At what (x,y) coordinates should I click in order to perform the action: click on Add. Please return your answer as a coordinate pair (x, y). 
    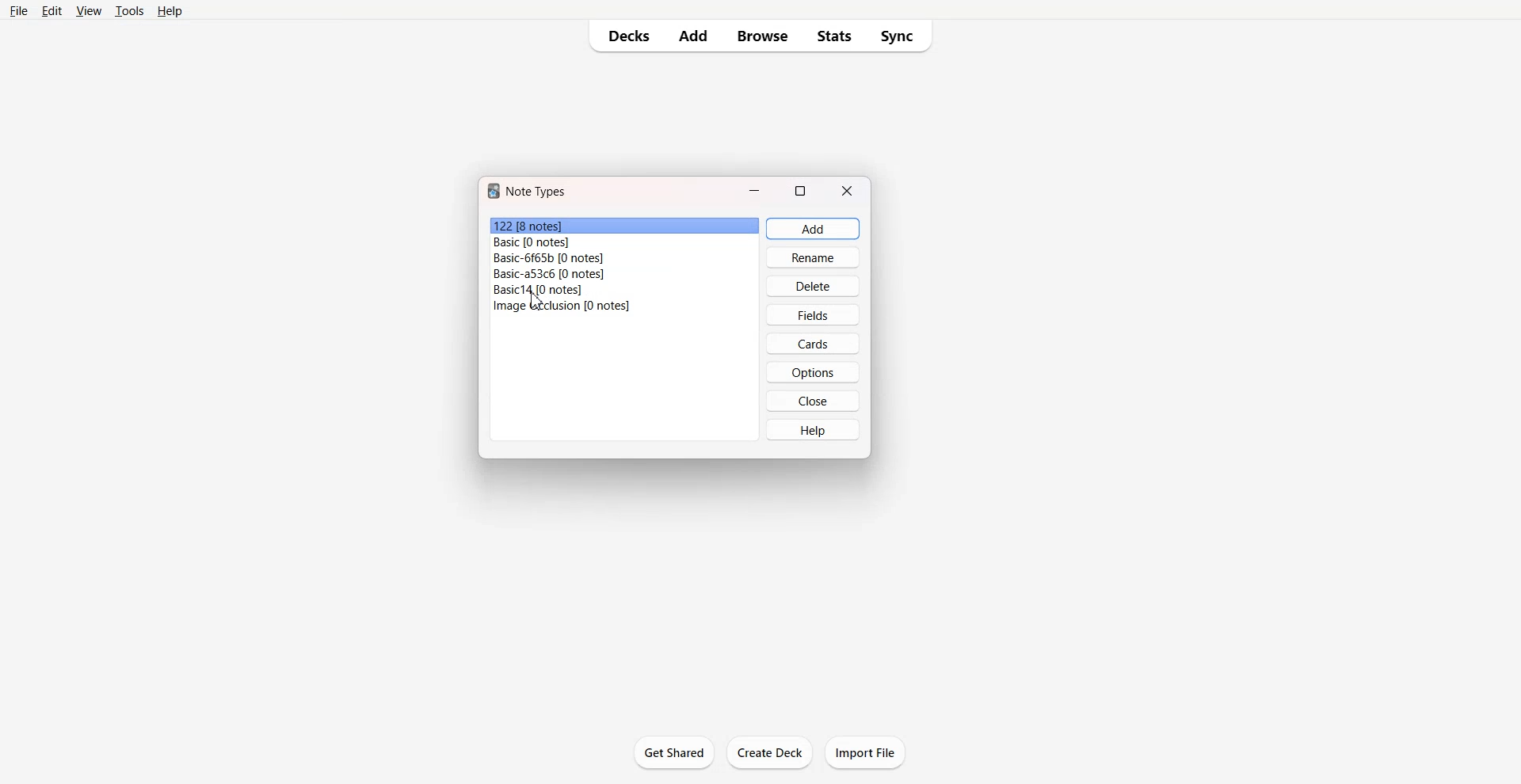
    Looking at the image, I should click on (813, 229).